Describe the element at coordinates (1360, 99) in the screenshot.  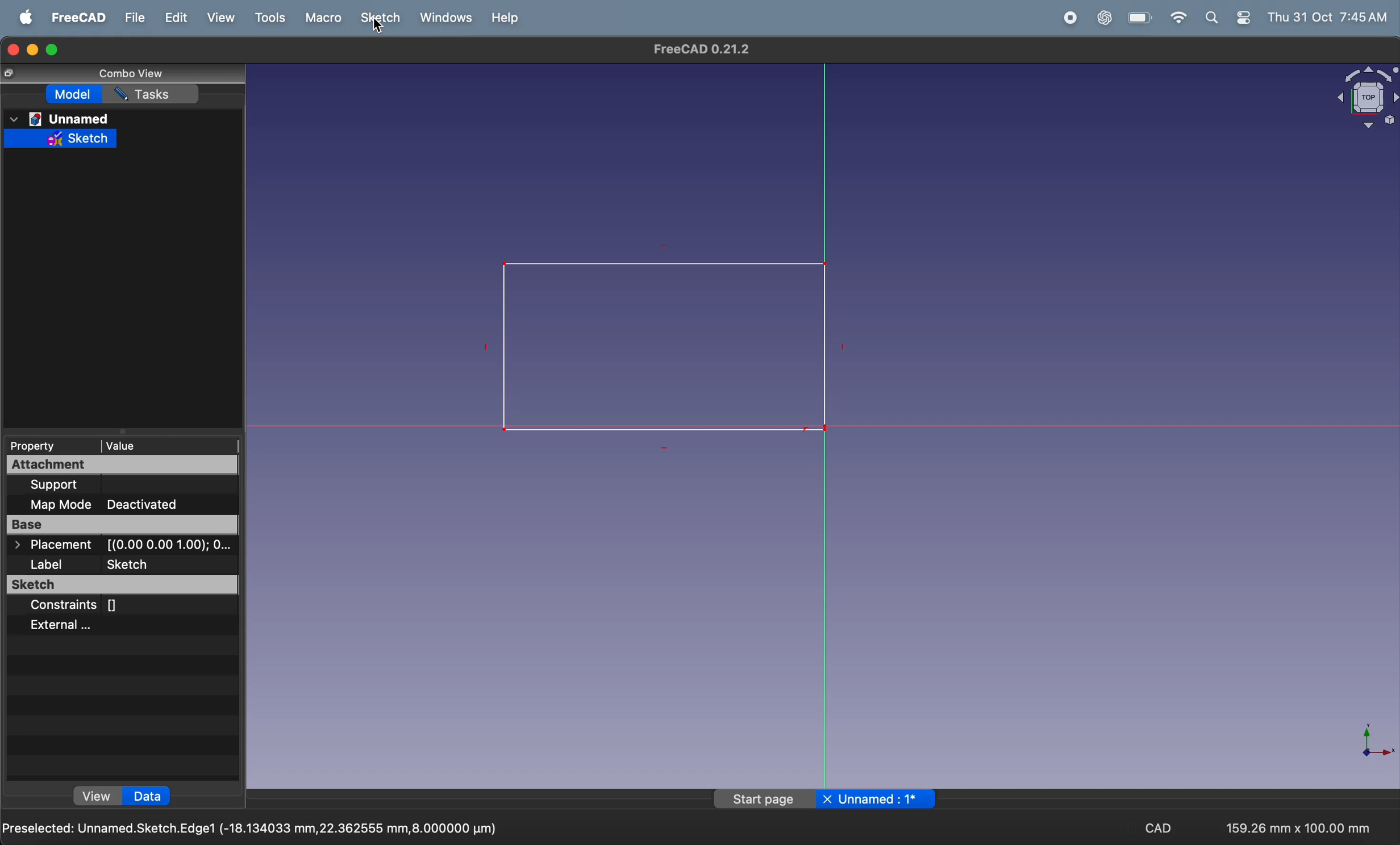
I see `object view` at that location.